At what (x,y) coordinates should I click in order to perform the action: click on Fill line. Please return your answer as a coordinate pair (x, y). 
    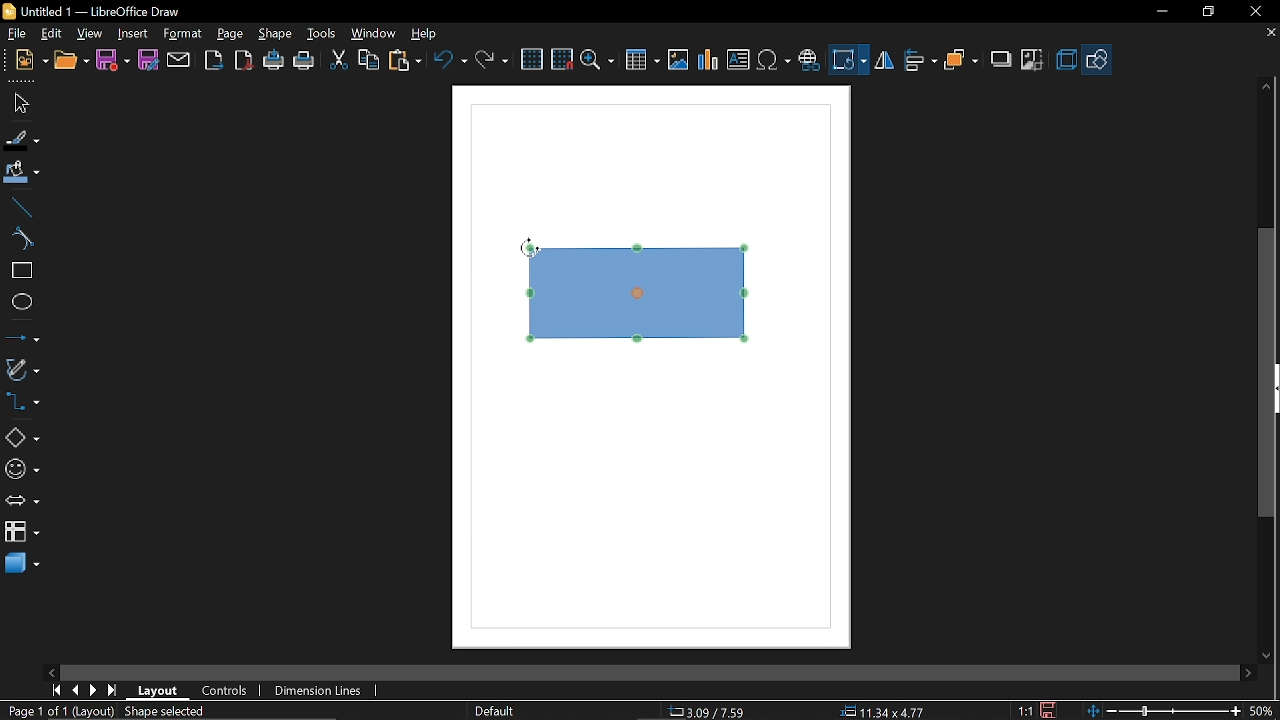
    Looking at the image, I should click on (21, 140).